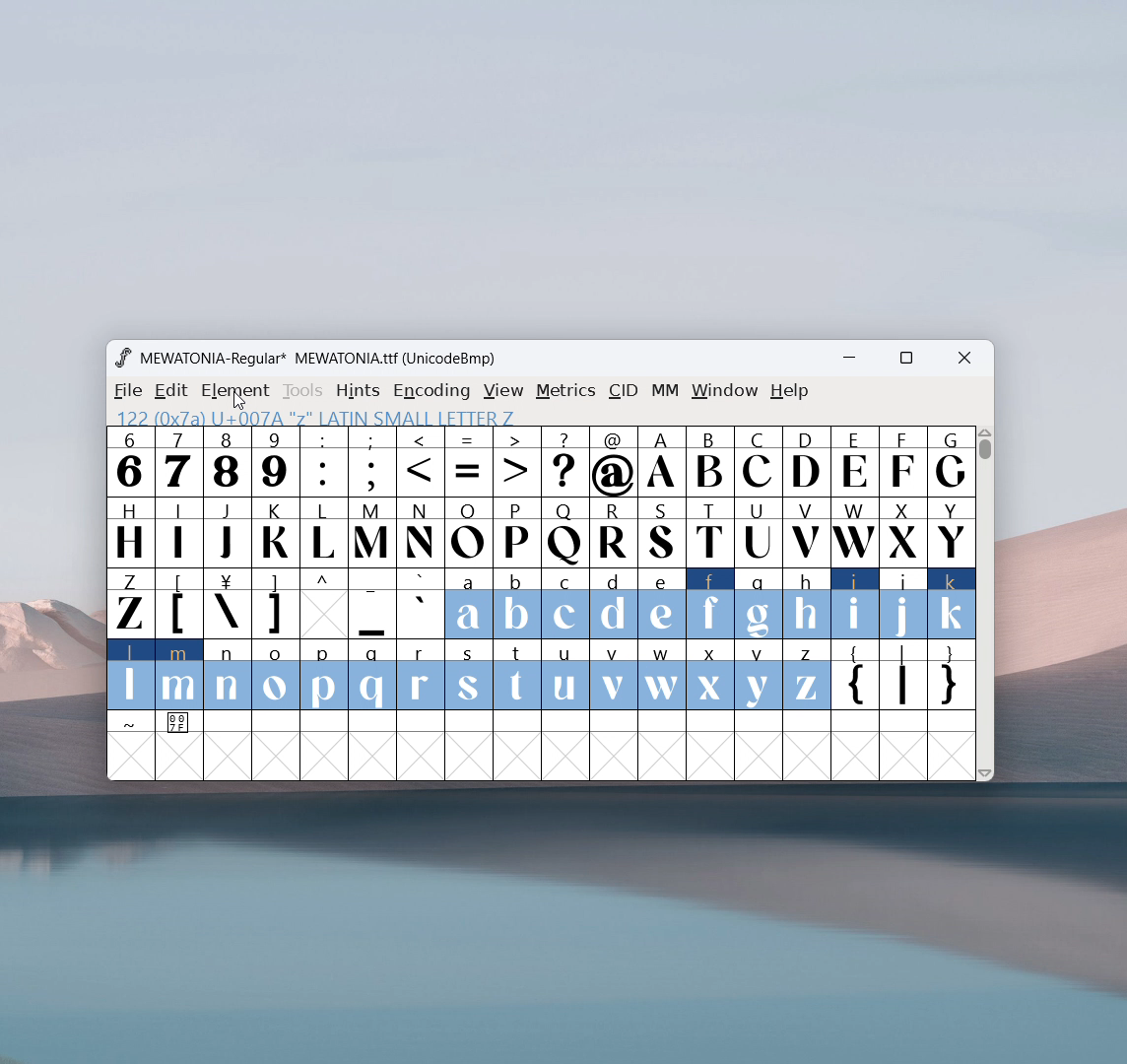 This screenshot has width=1127, height=1064. Describe the element at coordinates (853, 532) in the screenshot. I see `W` at that location.